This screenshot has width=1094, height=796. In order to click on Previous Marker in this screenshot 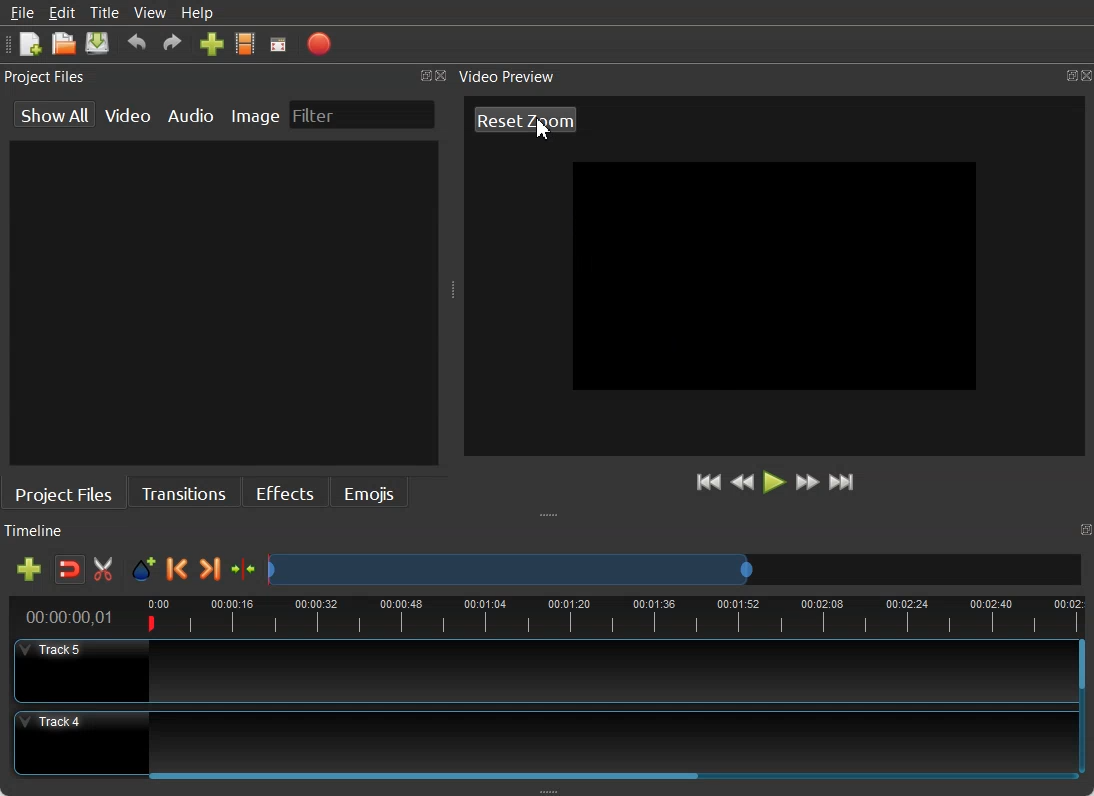, I will do `click(177, 569)`.